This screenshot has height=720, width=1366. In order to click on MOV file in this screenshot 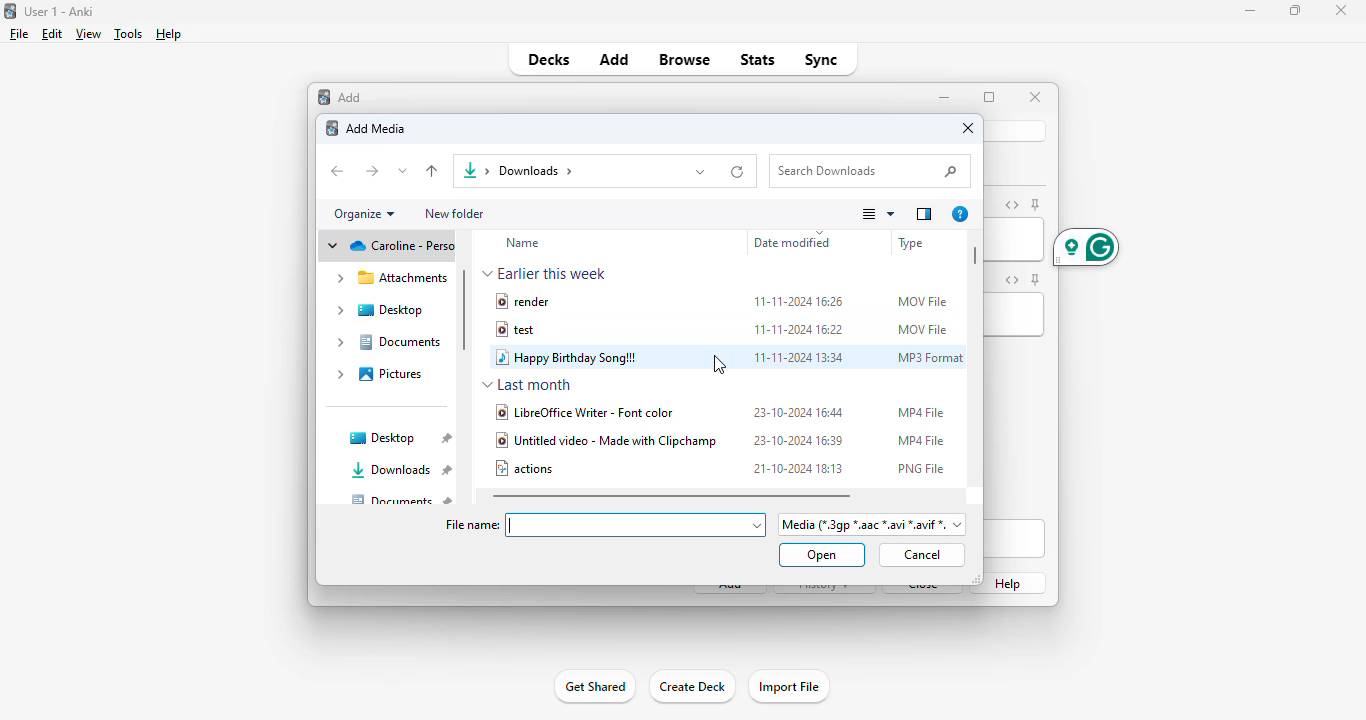, I will do `click(923, 302)`.